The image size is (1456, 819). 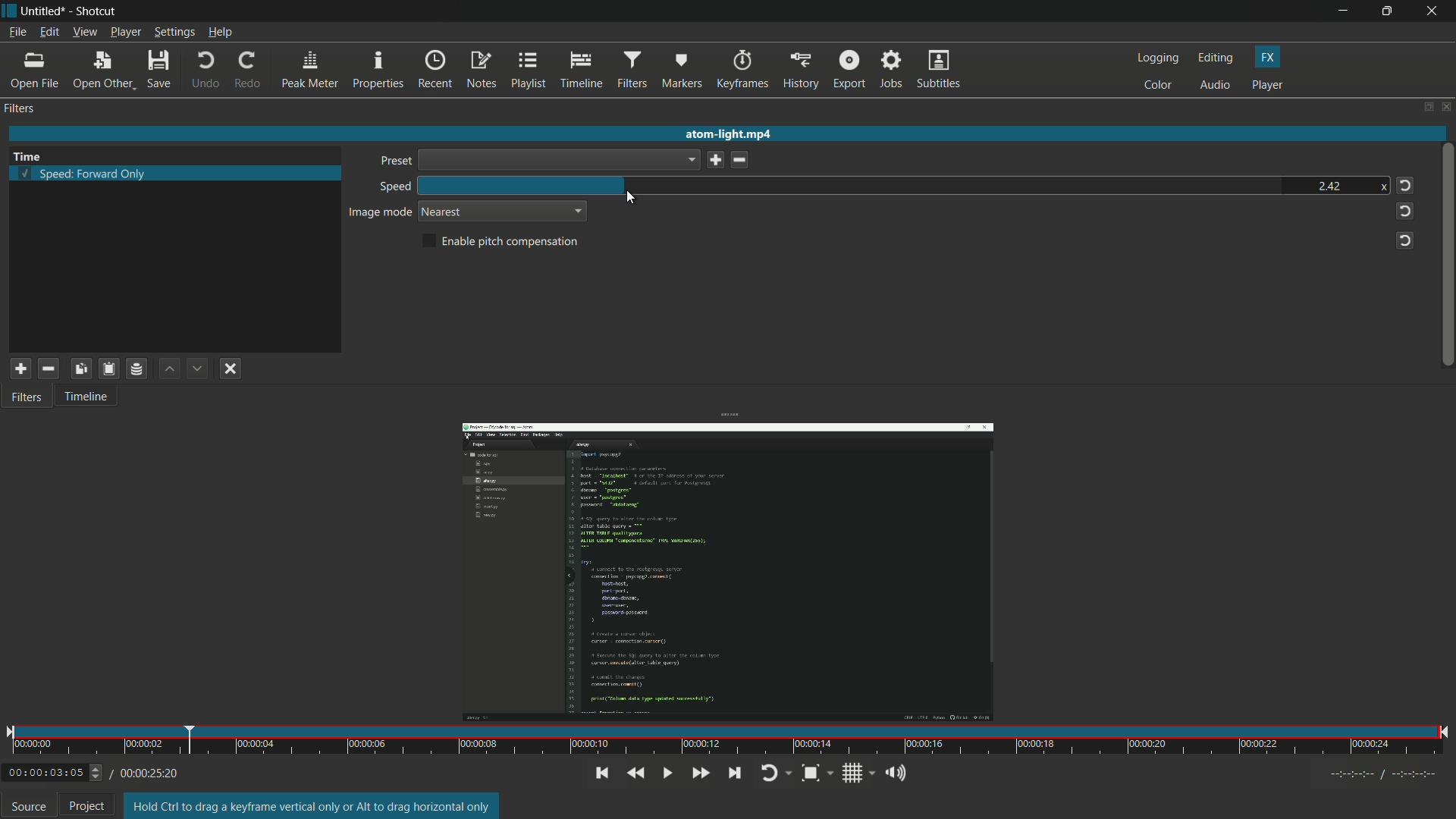 What do you see at coordinates (443, 212) in the screenshot?
I see `nearest` at bounding box center [443, 212].